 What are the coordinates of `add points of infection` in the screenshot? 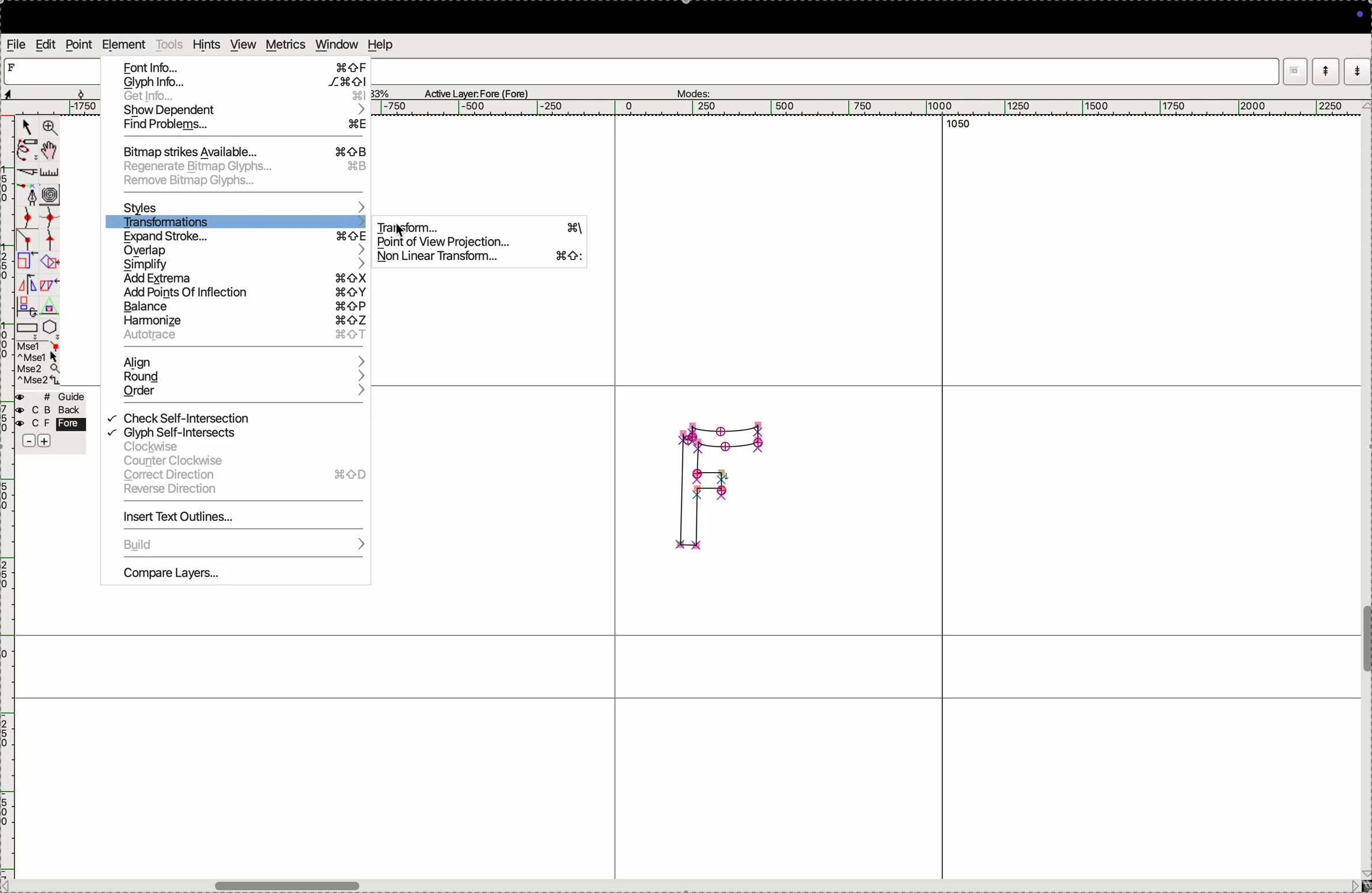 It's located at (235, 293).